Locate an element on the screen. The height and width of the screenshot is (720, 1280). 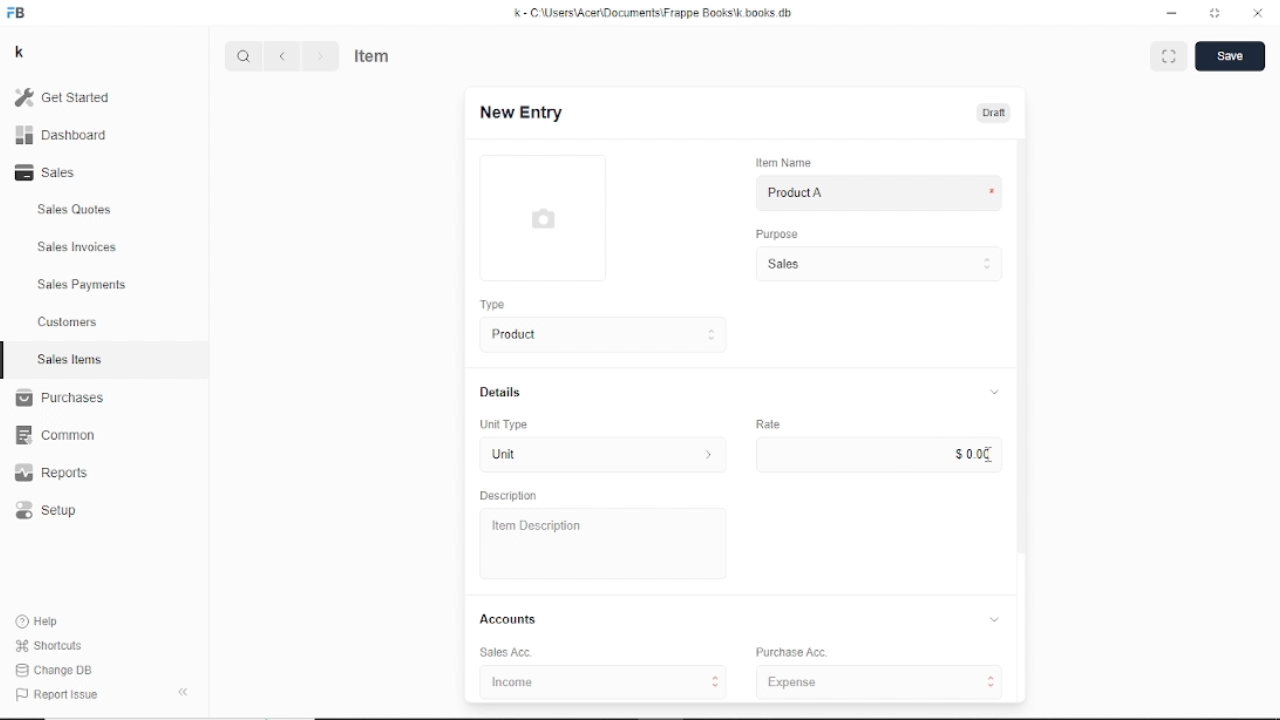
Previous is located at coordinates (282, 56).